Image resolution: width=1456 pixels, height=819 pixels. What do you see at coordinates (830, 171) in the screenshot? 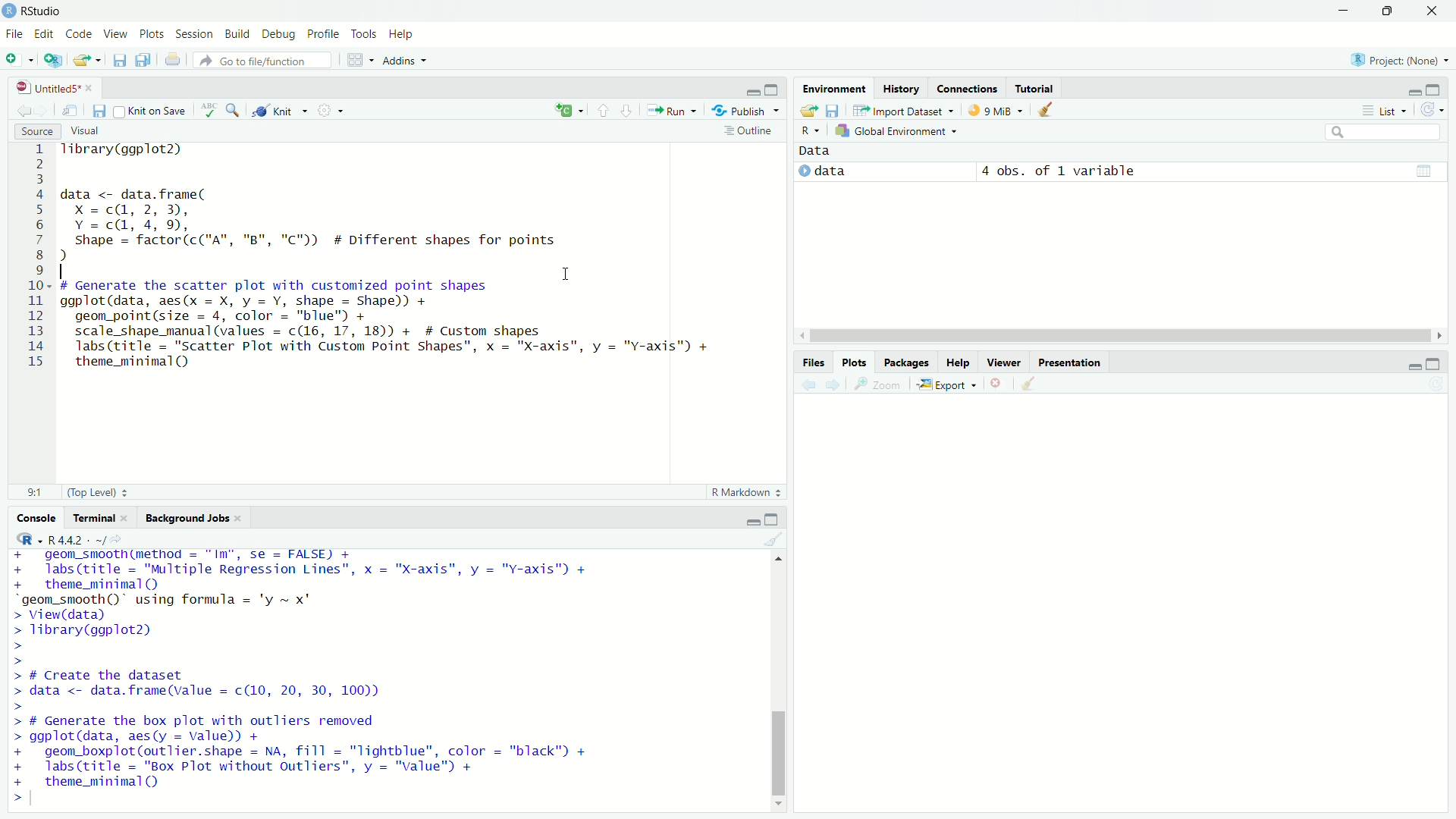
I see `data` at bounding box center [830, 171].